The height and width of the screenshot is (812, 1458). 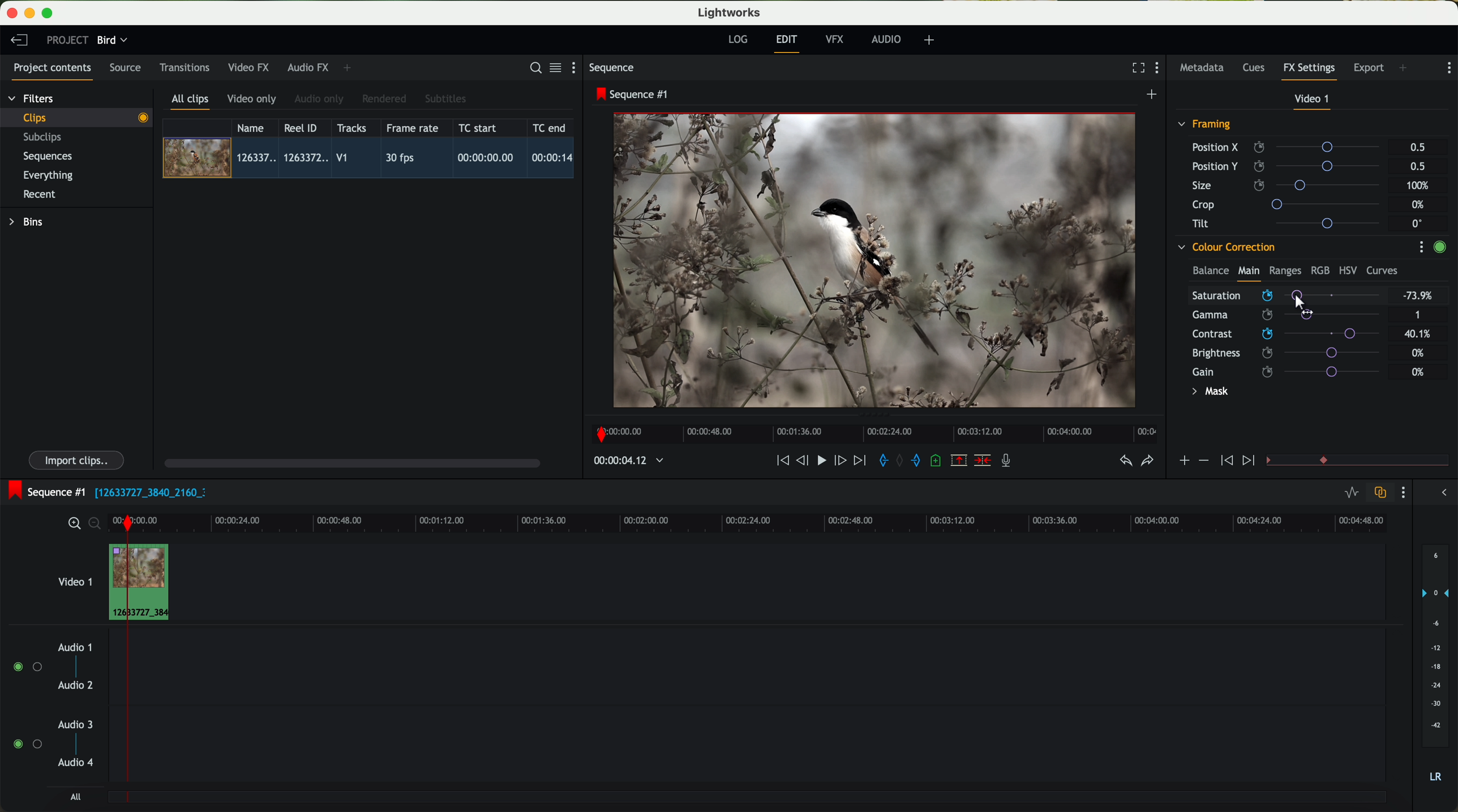 What do you see at coordinates (937, 461) in the screenshot?
I see `add a cue at the current position` at bounding box center [937, 461].